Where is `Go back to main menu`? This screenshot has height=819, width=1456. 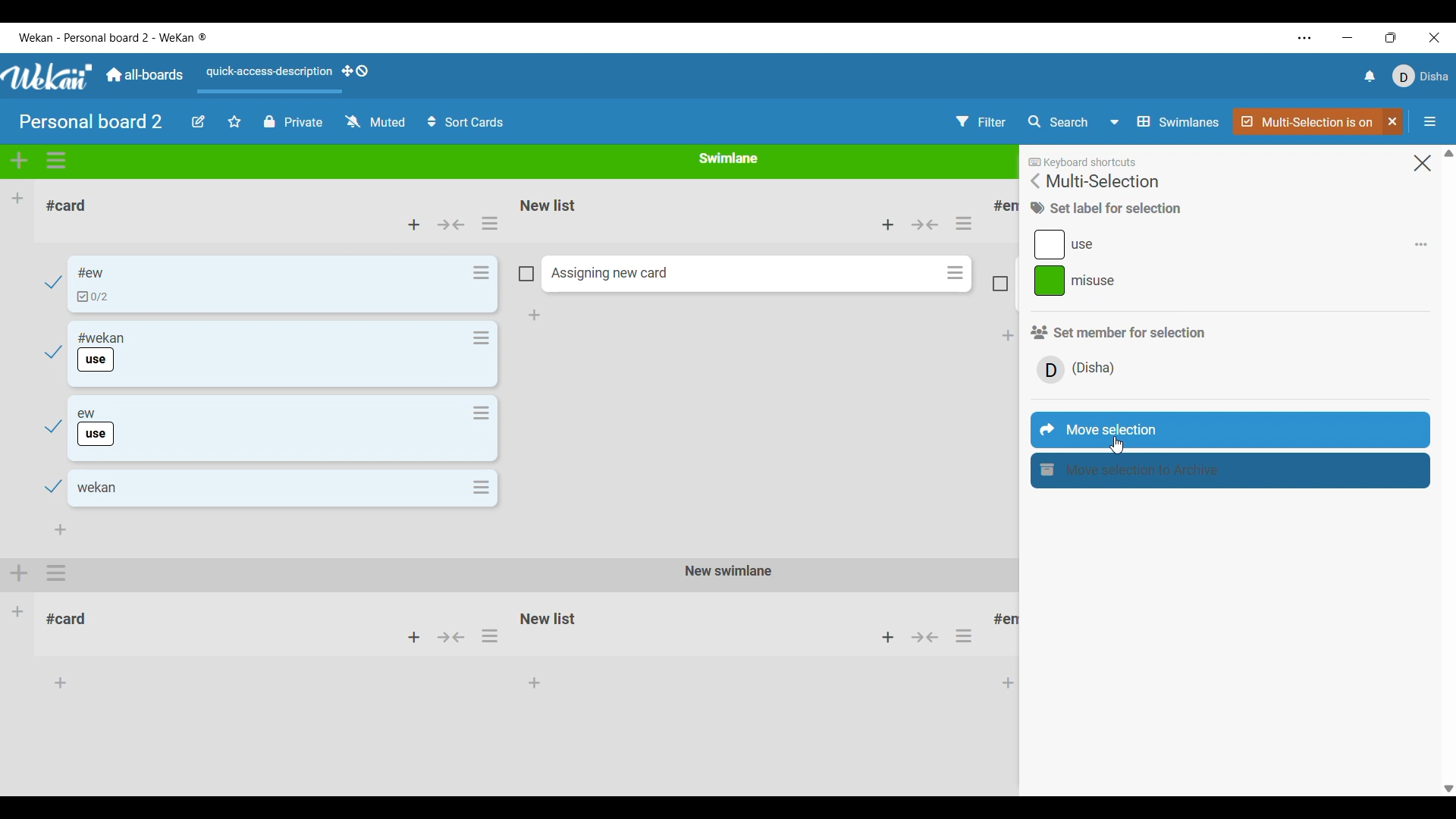
Go back to main menu is located at coordinates (1036, 180).